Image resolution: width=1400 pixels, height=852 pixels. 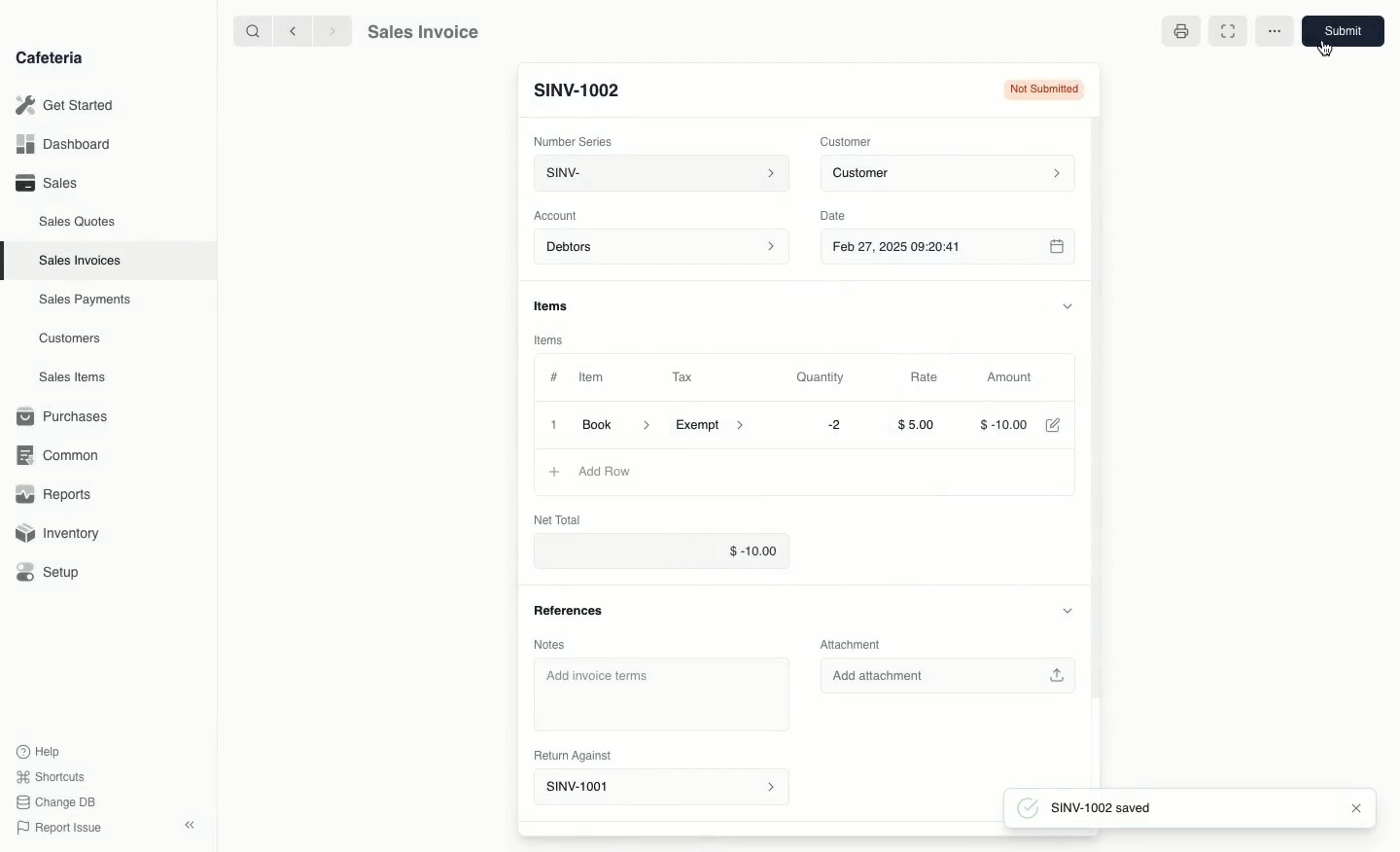 I want to click on Items, so click(x=547, y=341).